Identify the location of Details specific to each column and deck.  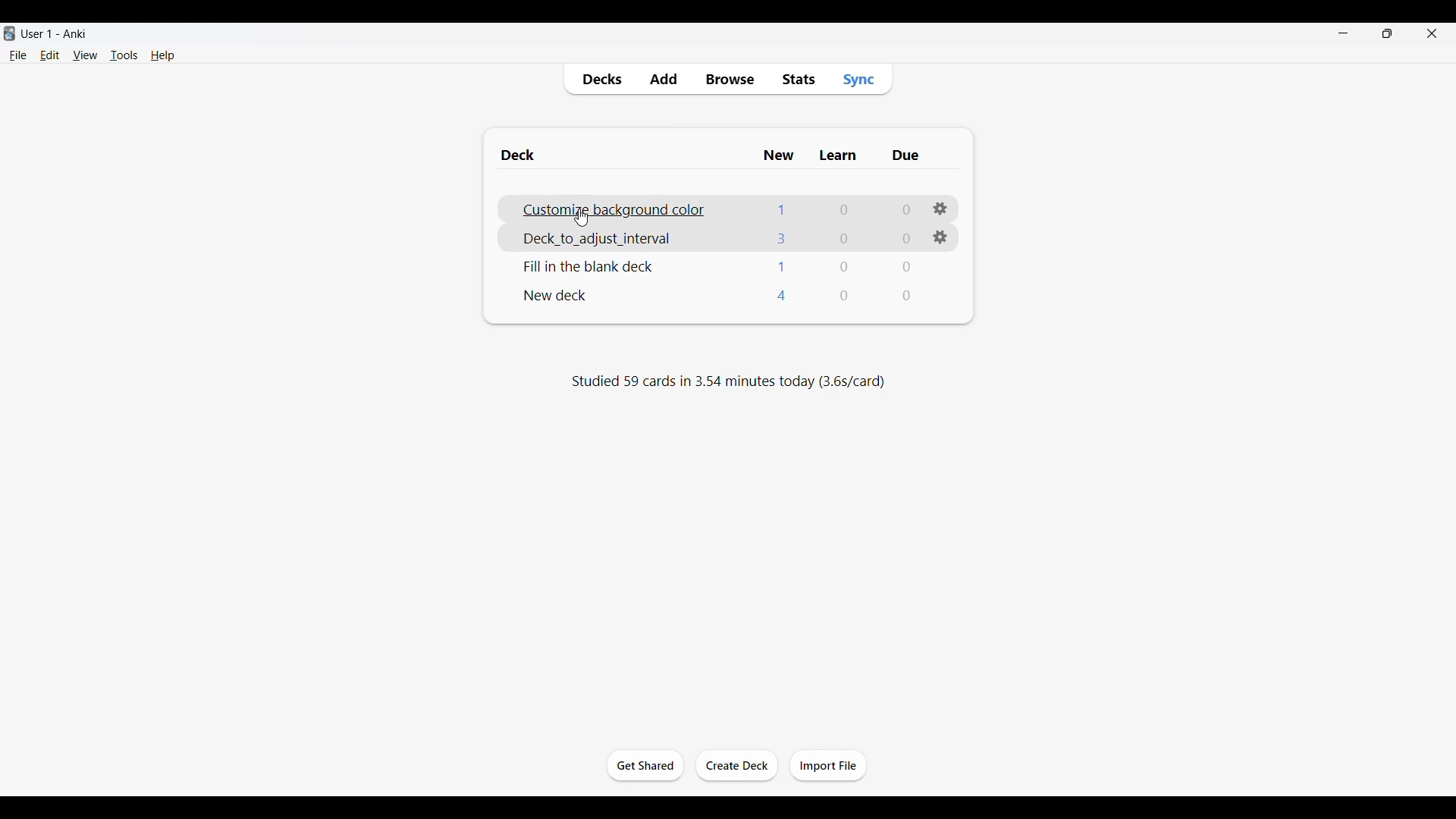
(846, 266).